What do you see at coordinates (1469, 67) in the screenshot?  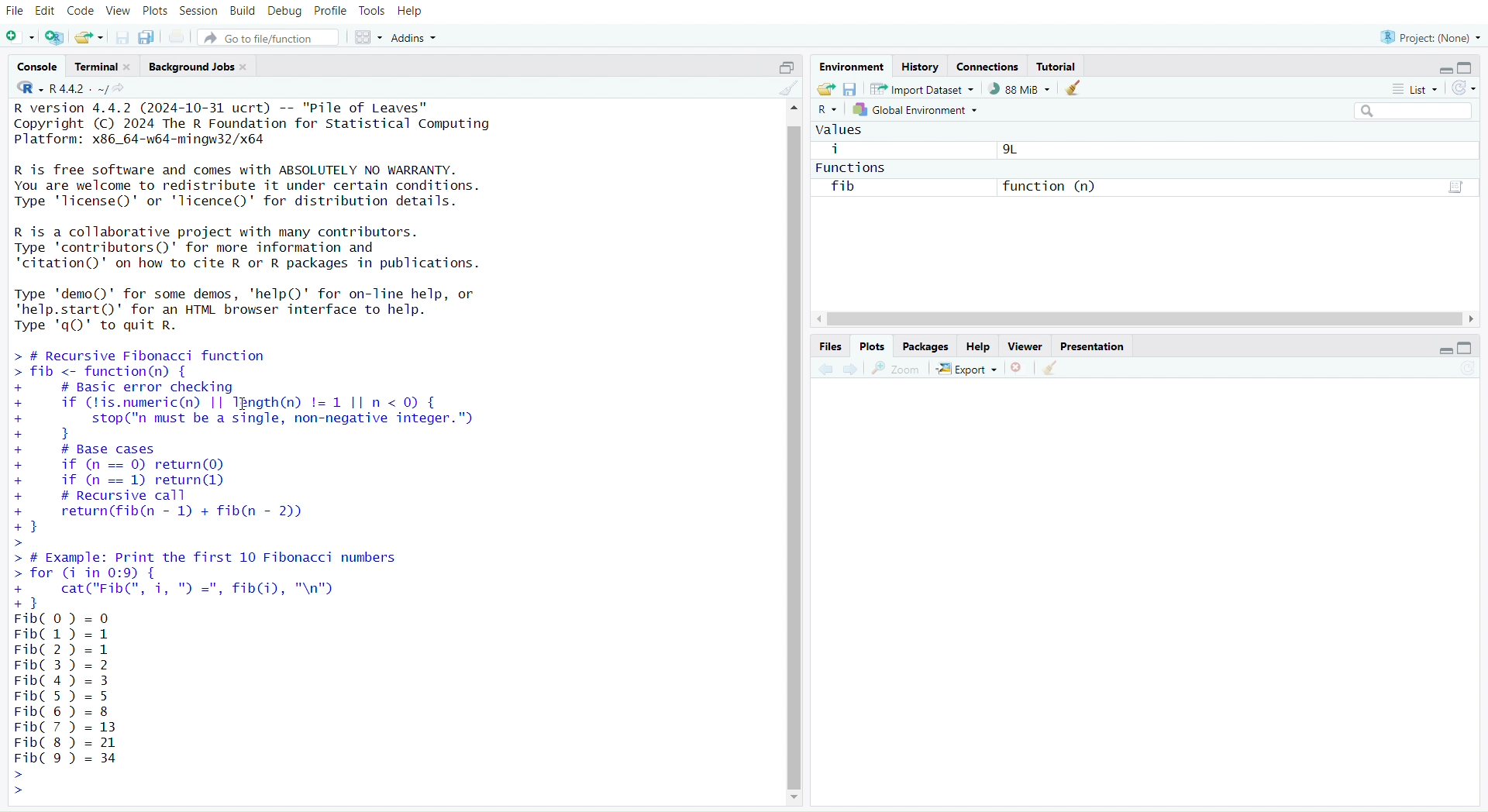 I see `collapse` at bounding box center [1469, 67].